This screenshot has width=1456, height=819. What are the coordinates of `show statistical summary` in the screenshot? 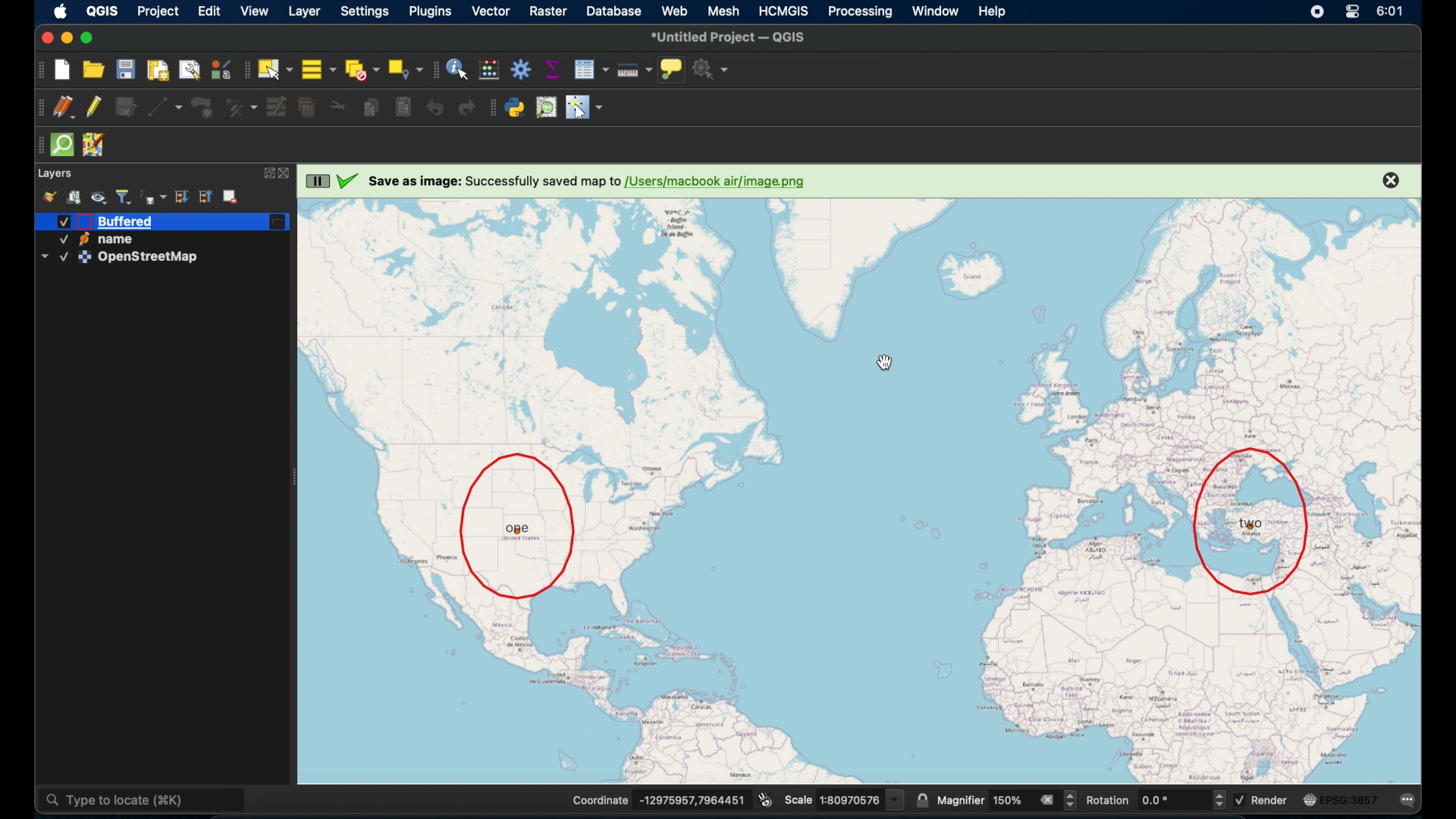 It's located at (554, 68).